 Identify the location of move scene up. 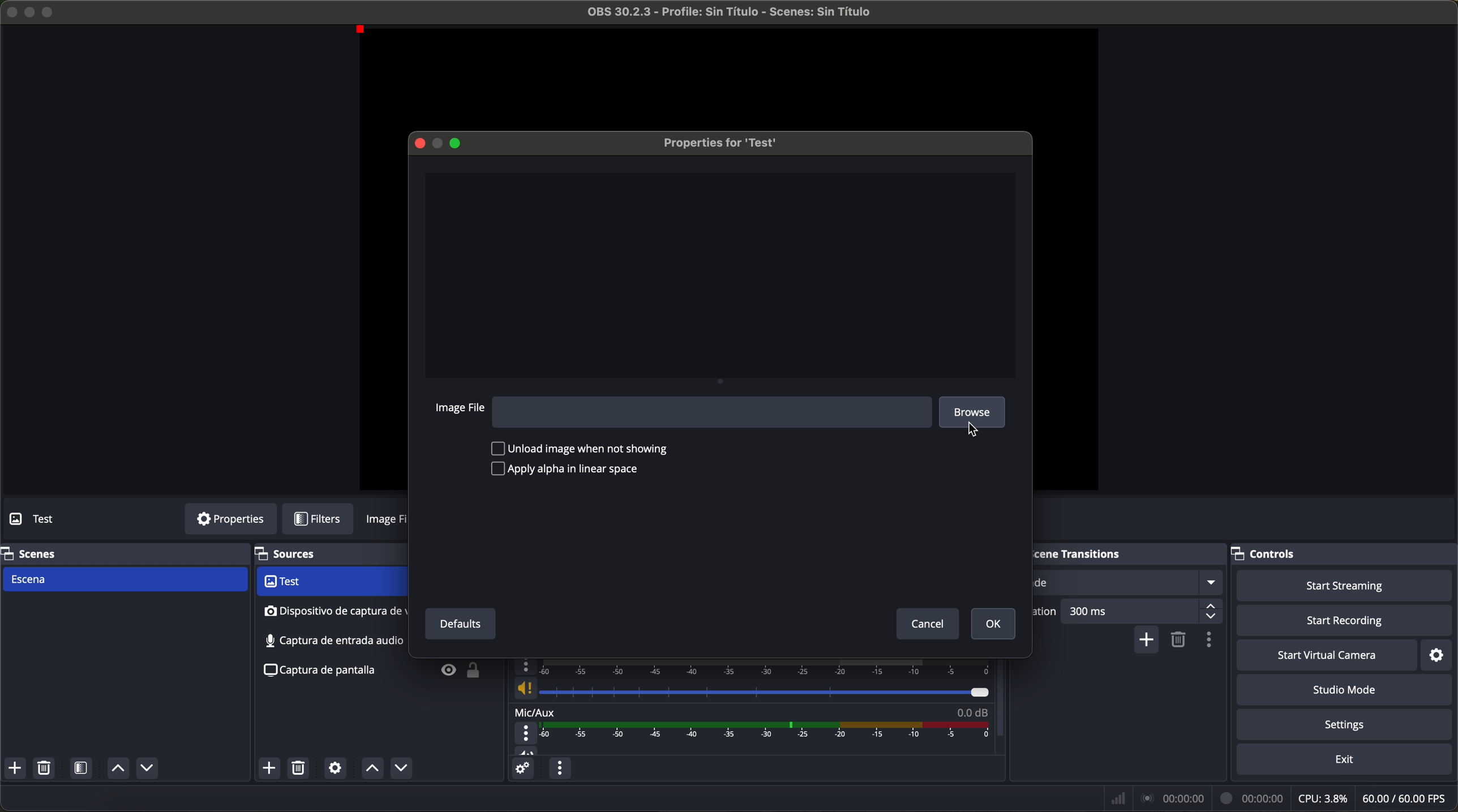
(118, 769).